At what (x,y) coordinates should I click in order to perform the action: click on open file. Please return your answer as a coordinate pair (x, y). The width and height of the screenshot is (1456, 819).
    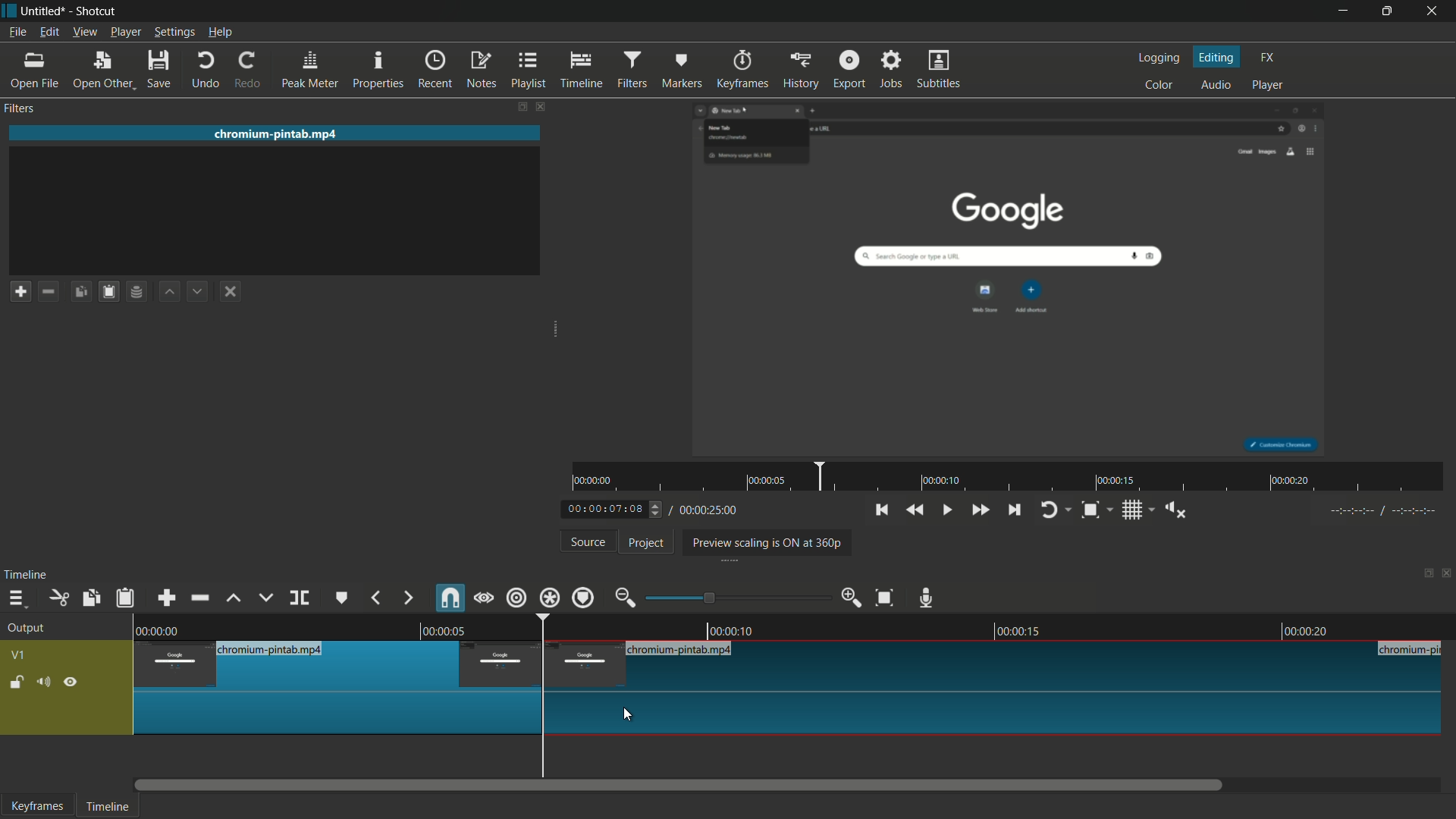
    Looking at the image, I should click on (32, 70).